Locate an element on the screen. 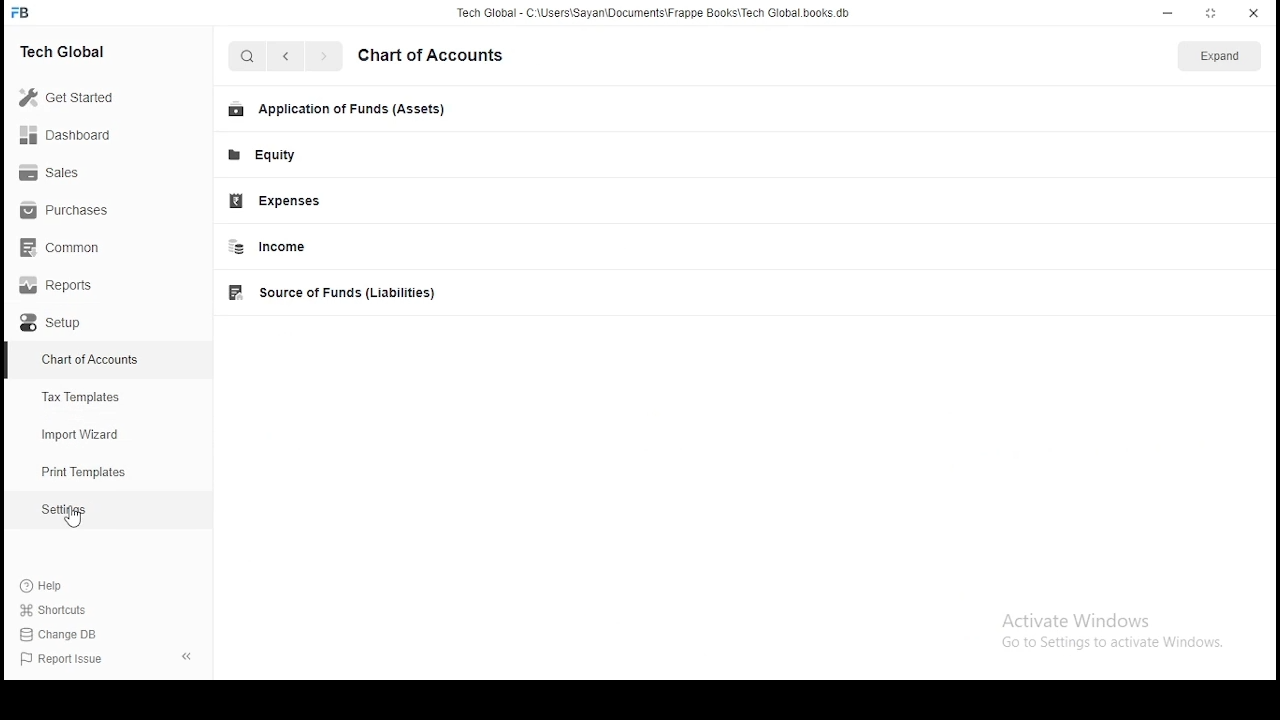  chart of accounts is located at coordinates (80, 362).